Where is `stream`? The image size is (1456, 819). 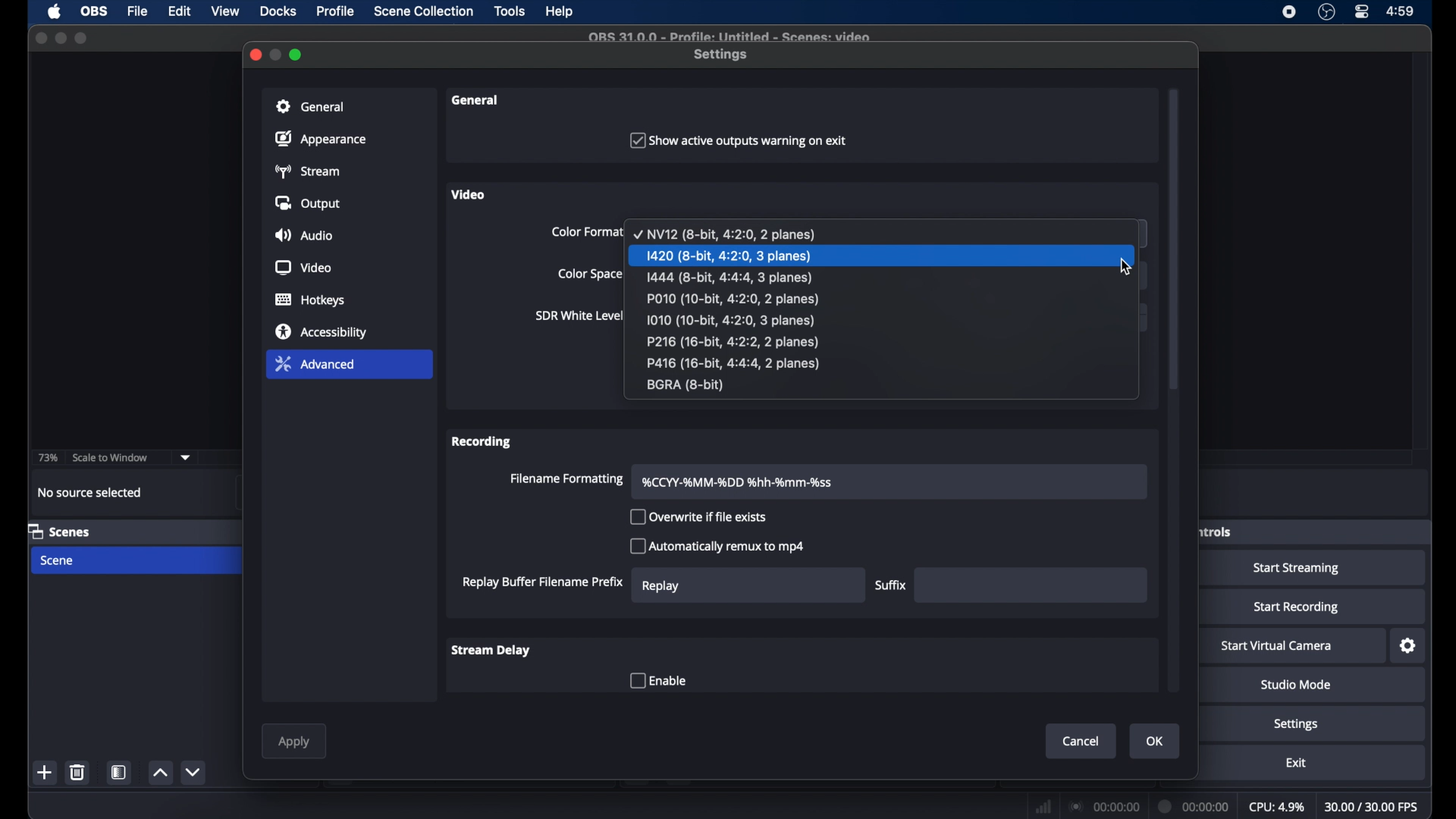 stream is located at coordinates (310, 171).